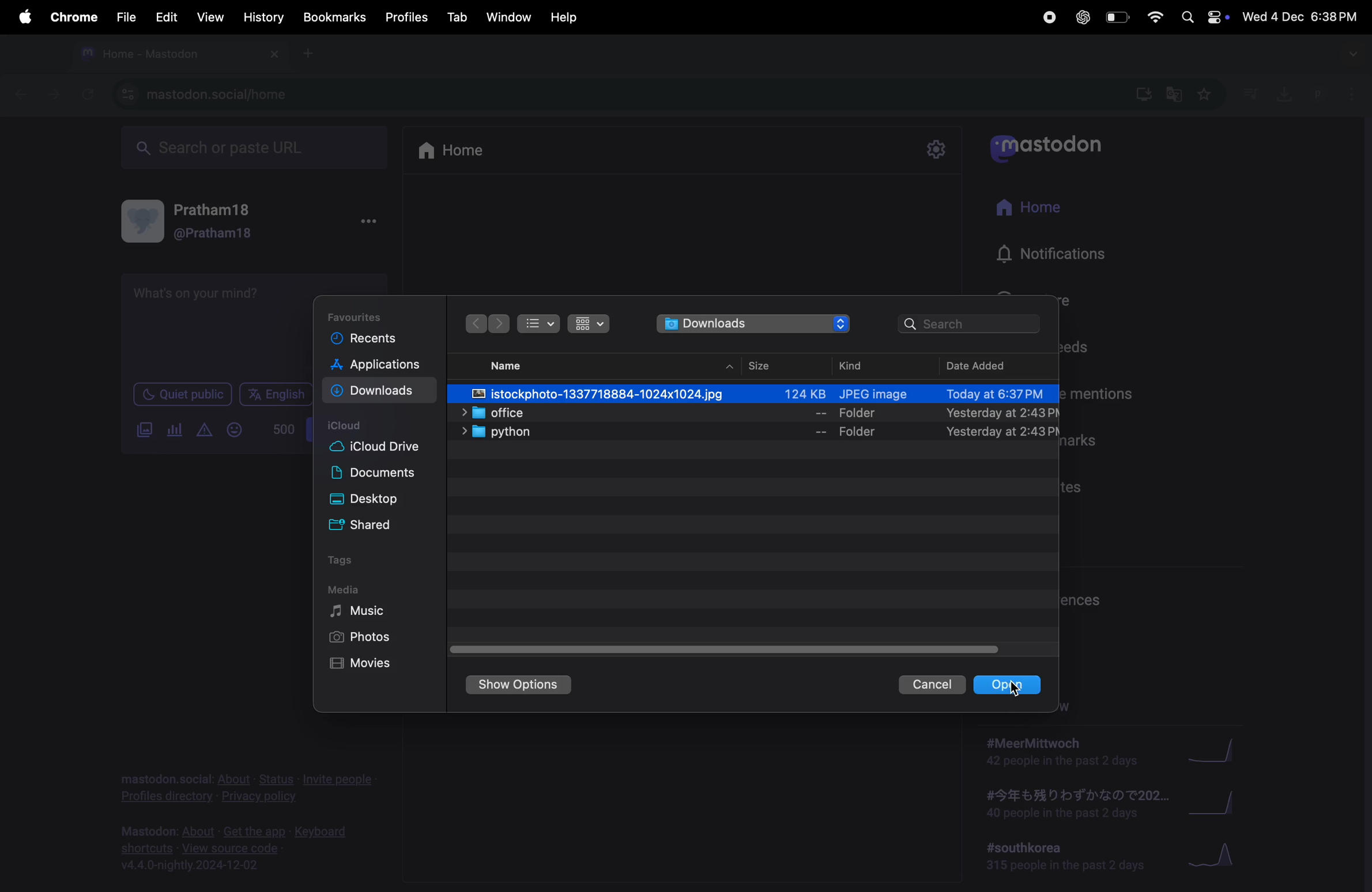 This screenshot has width=1372, height=892. Describe the element at coordinates (1219, 749) in the screenshot. I see `Graph` at that location.